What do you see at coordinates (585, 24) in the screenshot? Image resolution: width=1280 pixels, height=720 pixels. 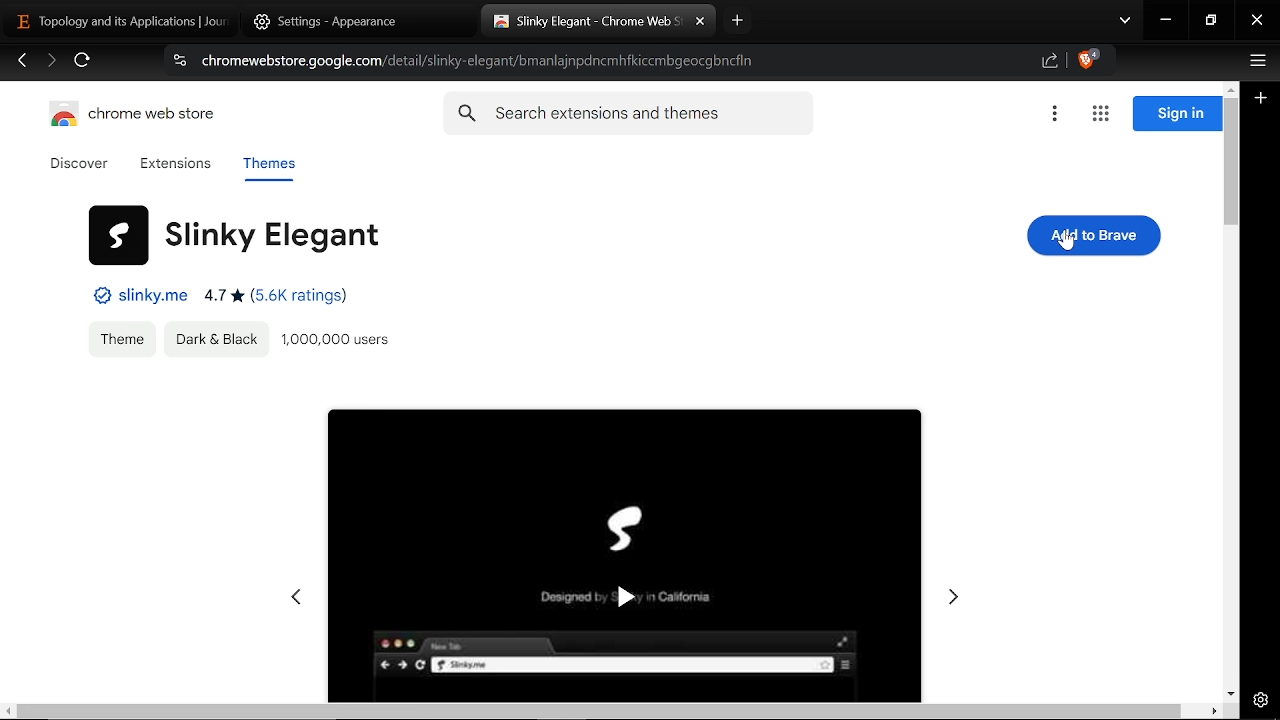 I see `Current tab` at bounding box center [585, 24].